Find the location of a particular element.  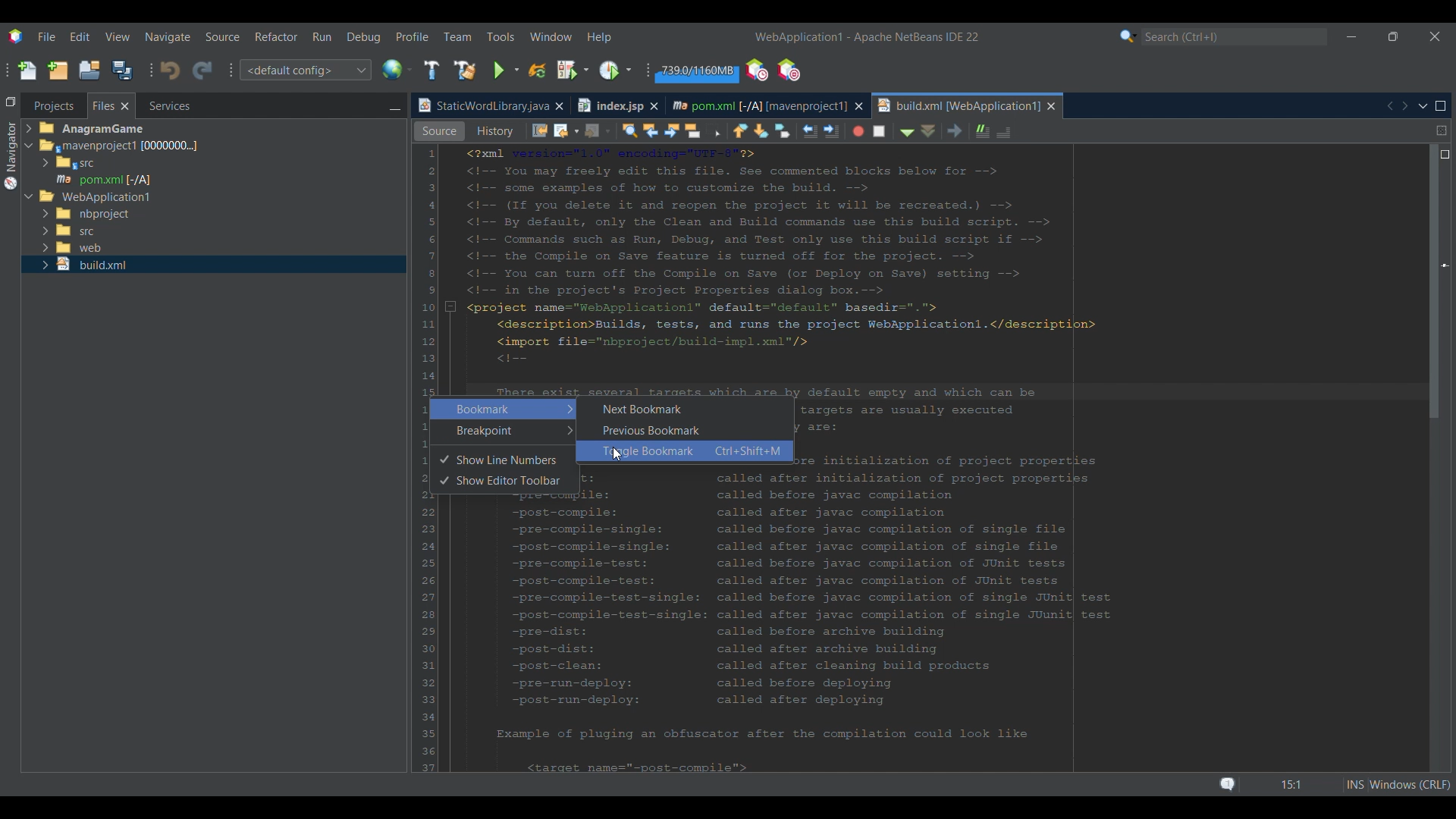

Status bar details changed is located at coordinates (1316, 785).